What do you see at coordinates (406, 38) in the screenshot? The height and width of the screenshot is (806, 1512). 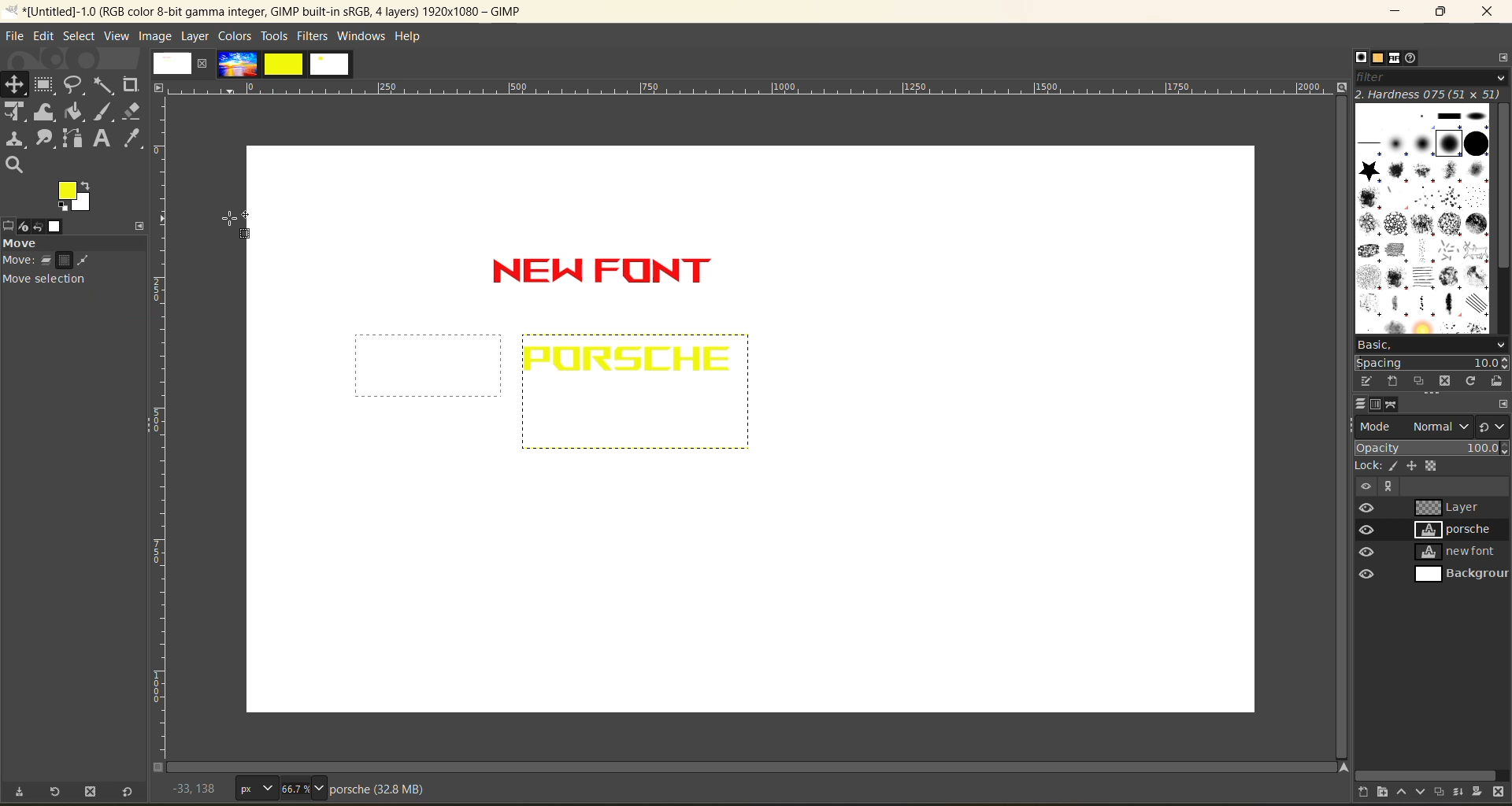 I see `help` at bounding box center [406, 38].